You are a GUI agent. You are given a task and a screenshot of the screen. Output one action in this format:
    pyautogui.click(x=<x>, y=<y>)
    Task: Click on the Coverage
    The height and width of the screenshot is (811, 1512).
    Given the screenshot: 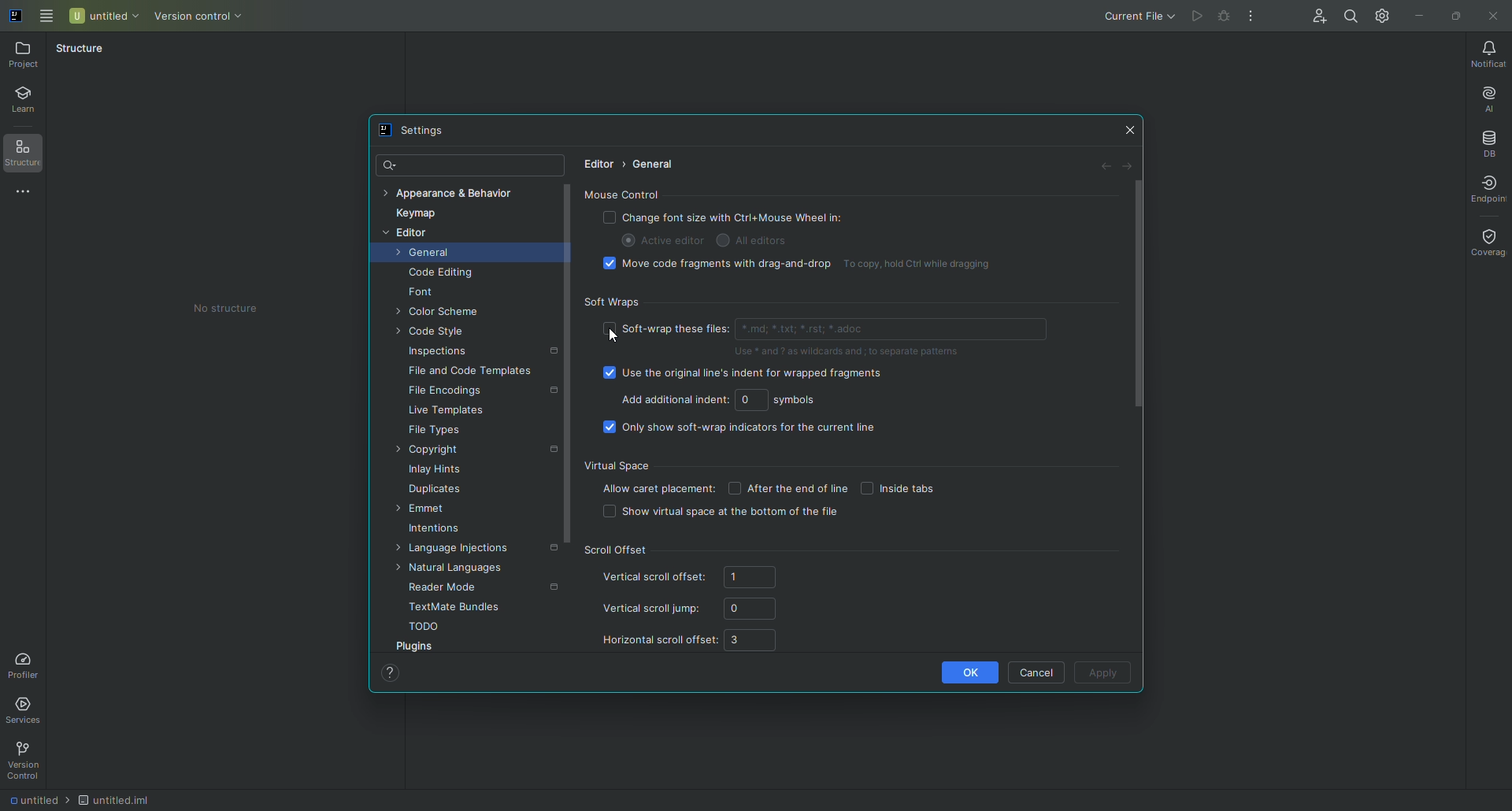 What is the action you would take?
    pyautogui.click(x=1486, y=243)
    